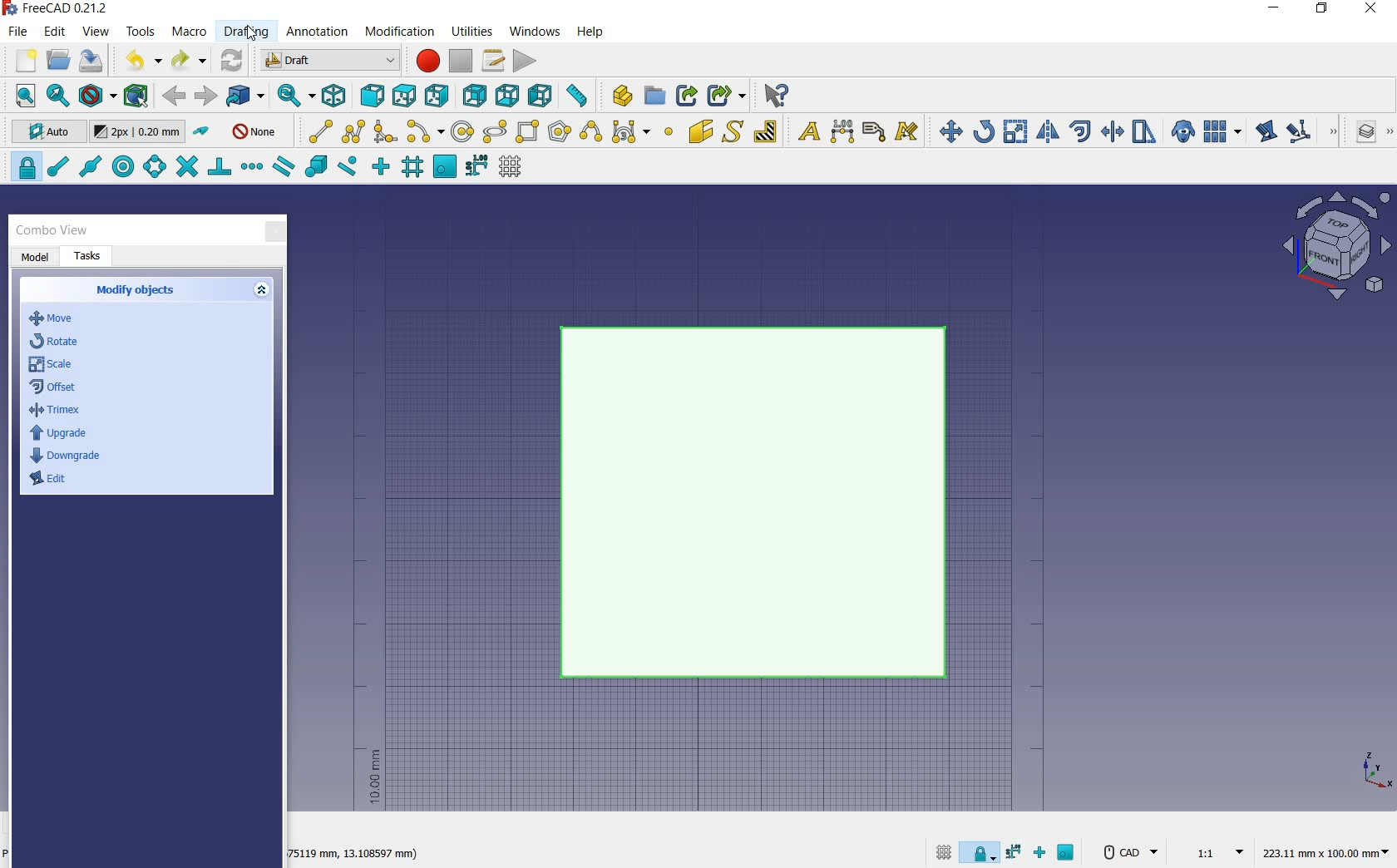  I want to click on system name, so click(60, 8).